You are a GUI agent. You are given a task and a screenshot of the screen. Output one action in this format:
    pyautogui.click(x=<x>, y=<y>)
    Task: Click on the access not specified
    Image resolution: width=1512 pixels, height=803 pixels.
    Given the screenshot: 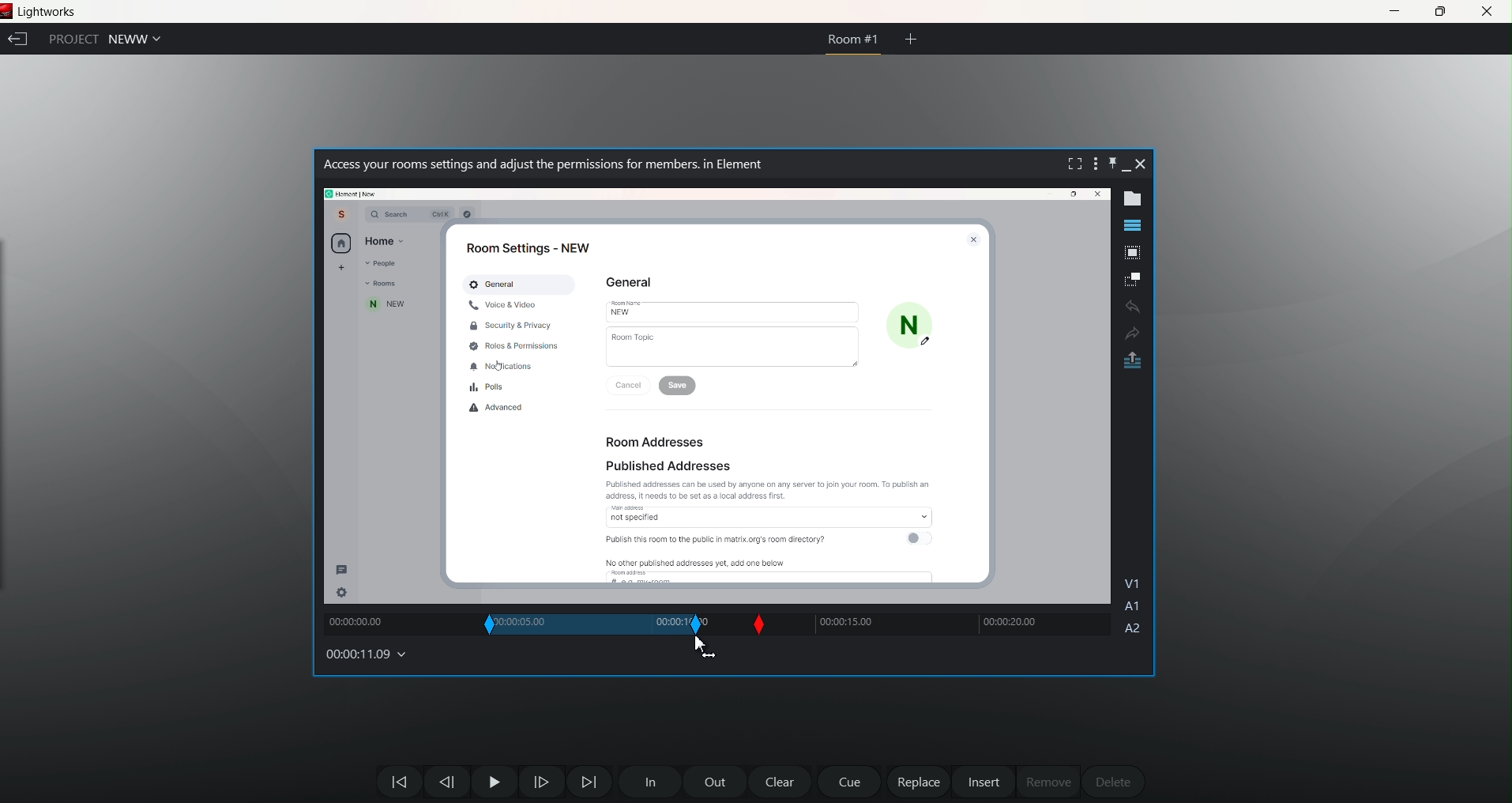 What is the action you would take?
    pyautogui.click(x=769, y=515)
    